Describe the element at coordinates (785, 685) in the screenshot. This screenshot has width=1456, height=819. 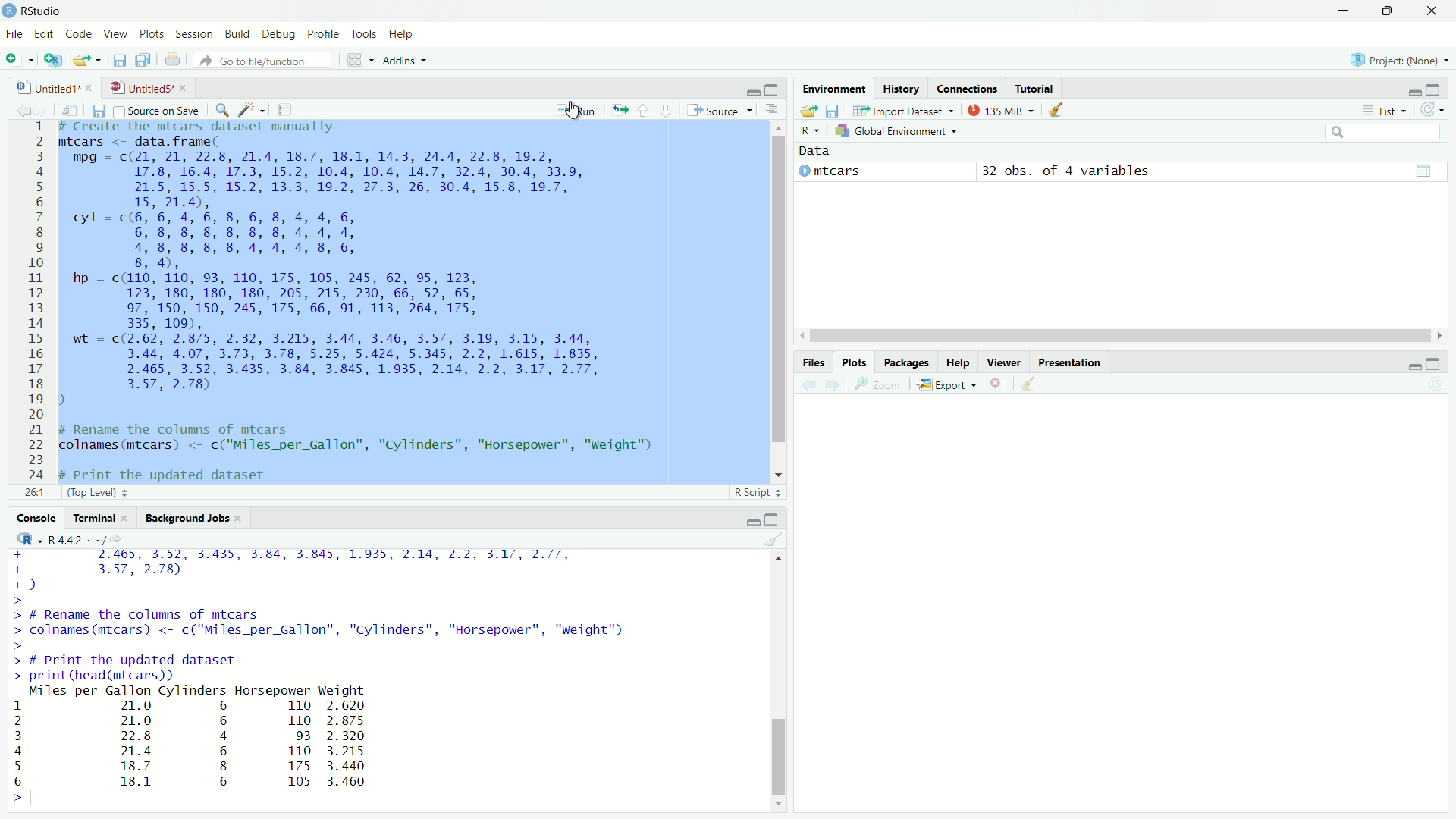
I see `scroll bar` at that location.